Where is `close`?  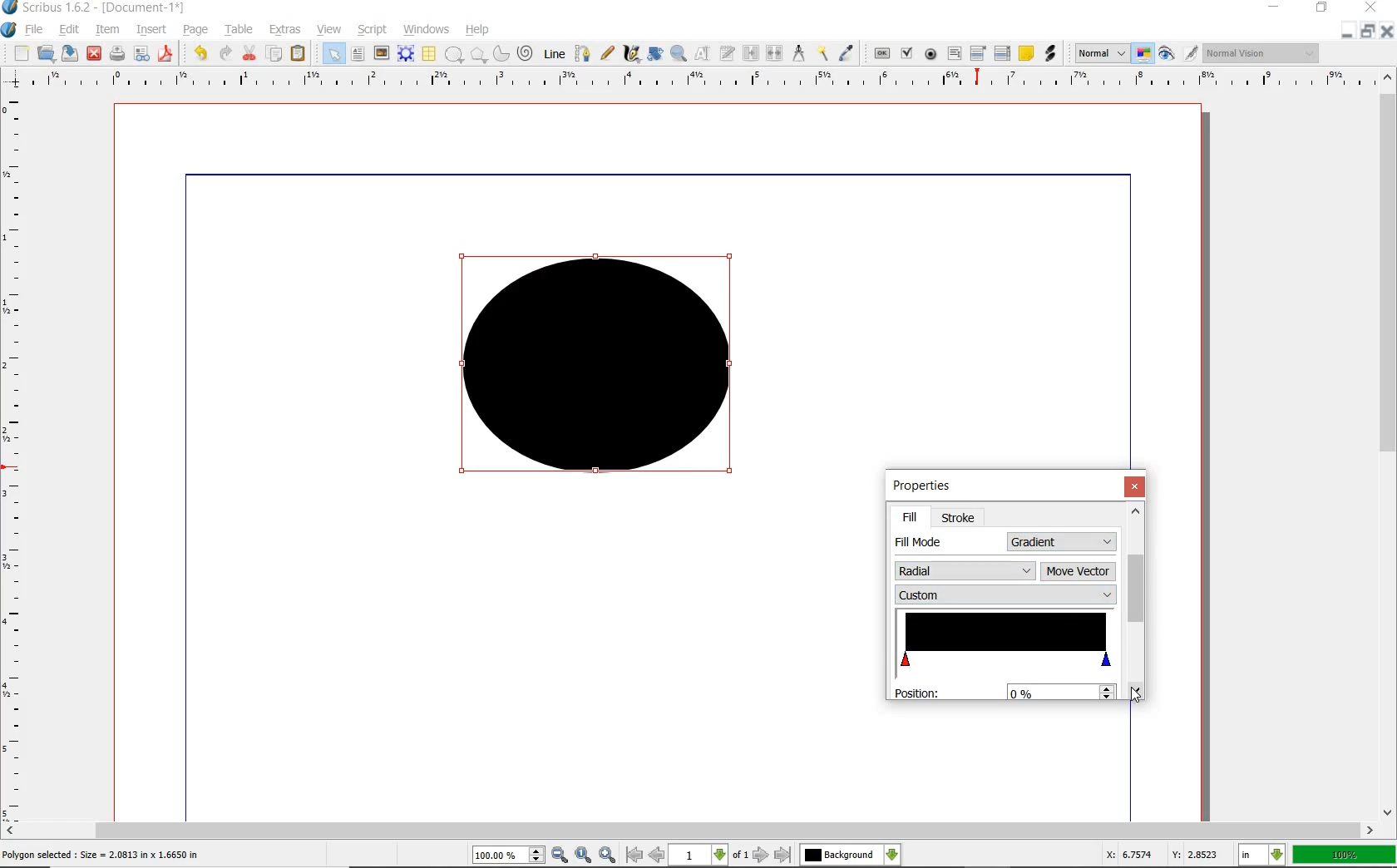 close is located at coordinates (1137, 486).